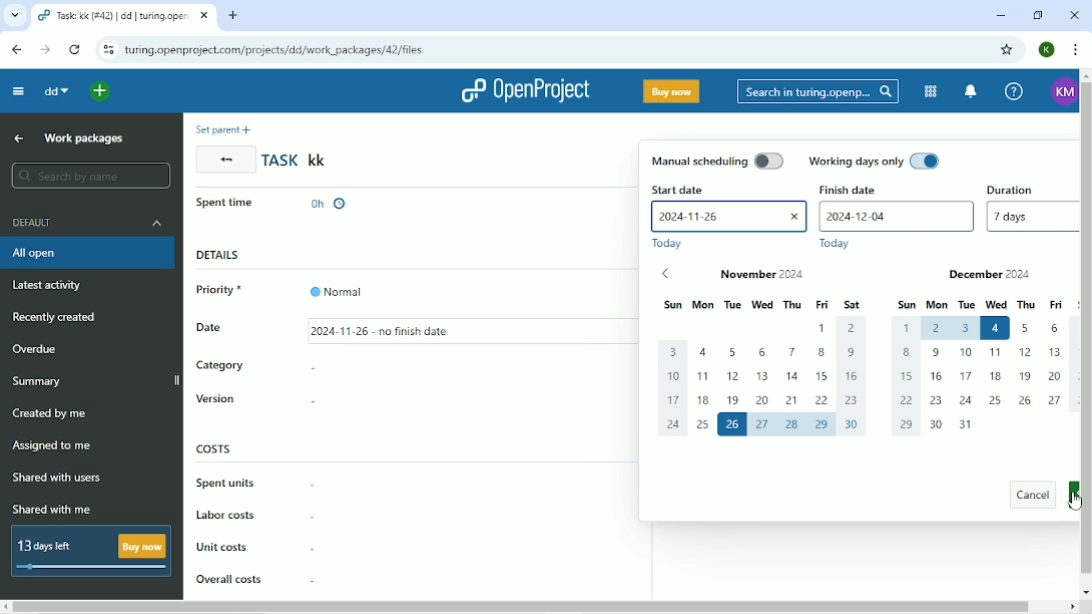  What do you see at coordinates (231, 17) in the screenshot?
I see `New tab` at bounding box center [231, 17].